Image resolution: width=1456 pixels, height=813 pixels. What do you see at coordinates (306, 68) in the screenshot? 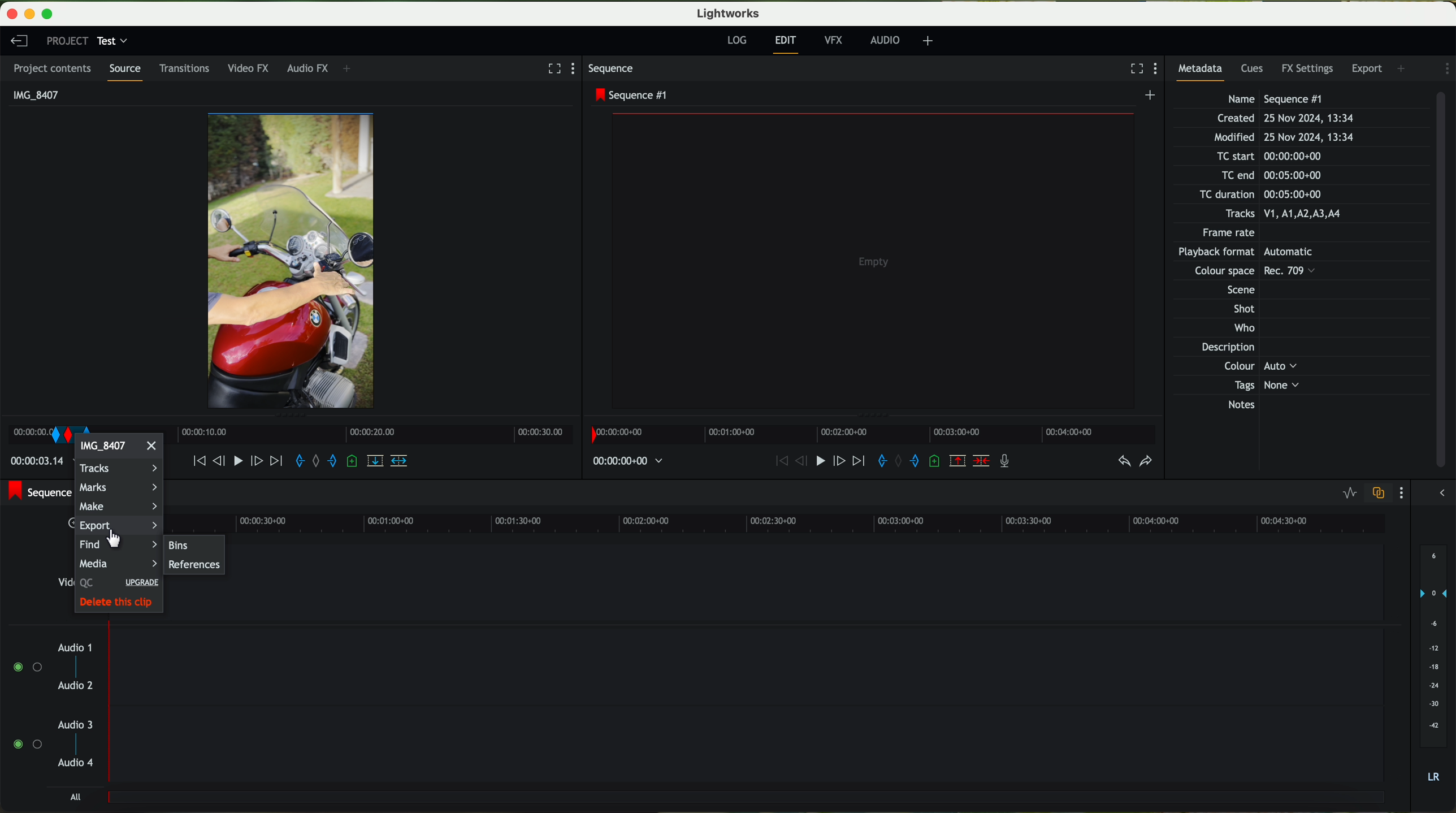
I see `audio FX` at bounding box center [306, 68].